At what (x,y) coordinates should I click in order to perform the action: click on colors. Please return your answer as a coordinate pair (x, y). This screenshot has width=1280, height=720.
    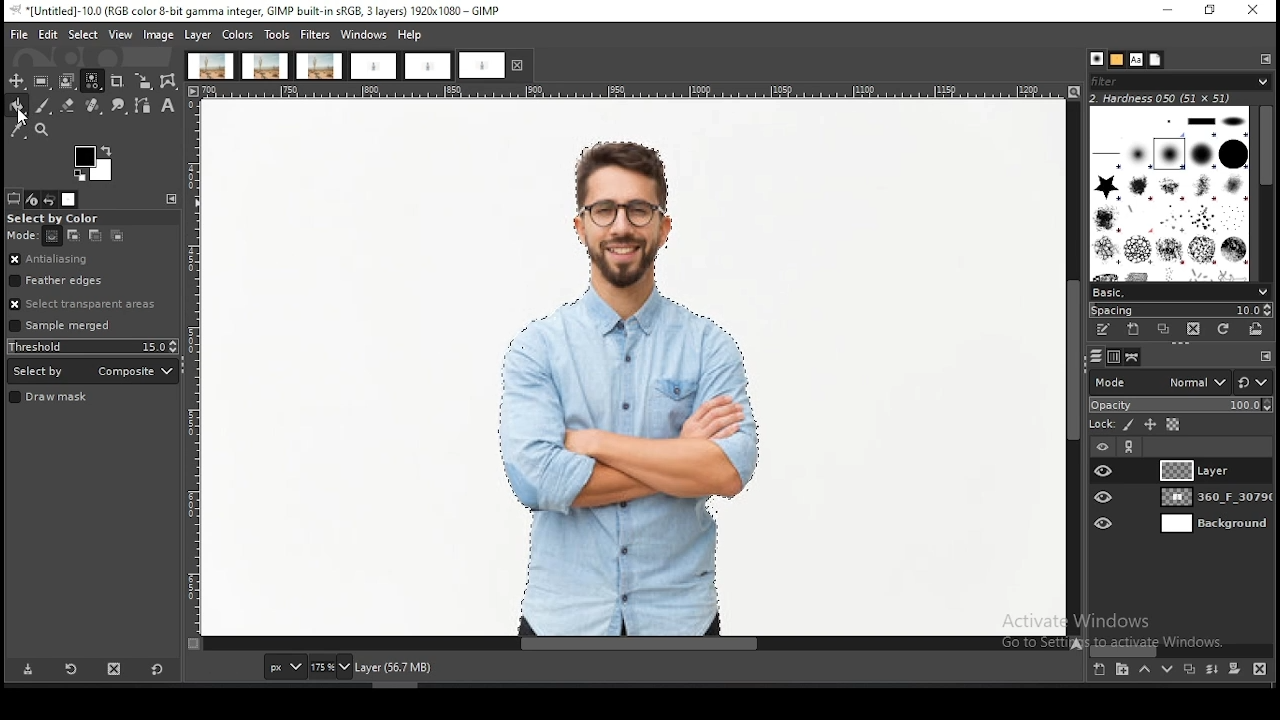
    Looking at the image, I should click on (95, 164).